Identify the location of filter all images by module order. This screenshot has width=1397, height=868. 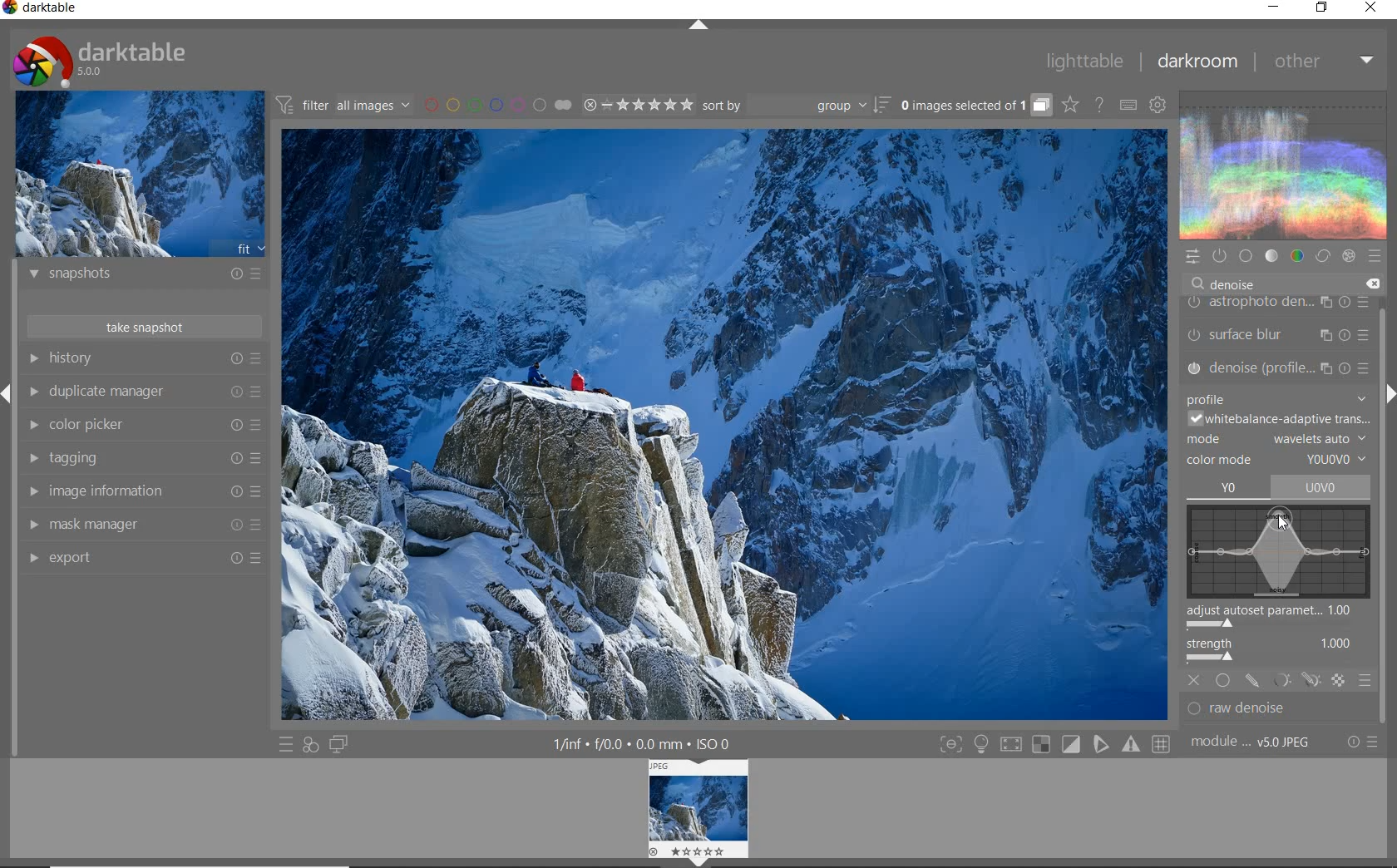
(344, 104).